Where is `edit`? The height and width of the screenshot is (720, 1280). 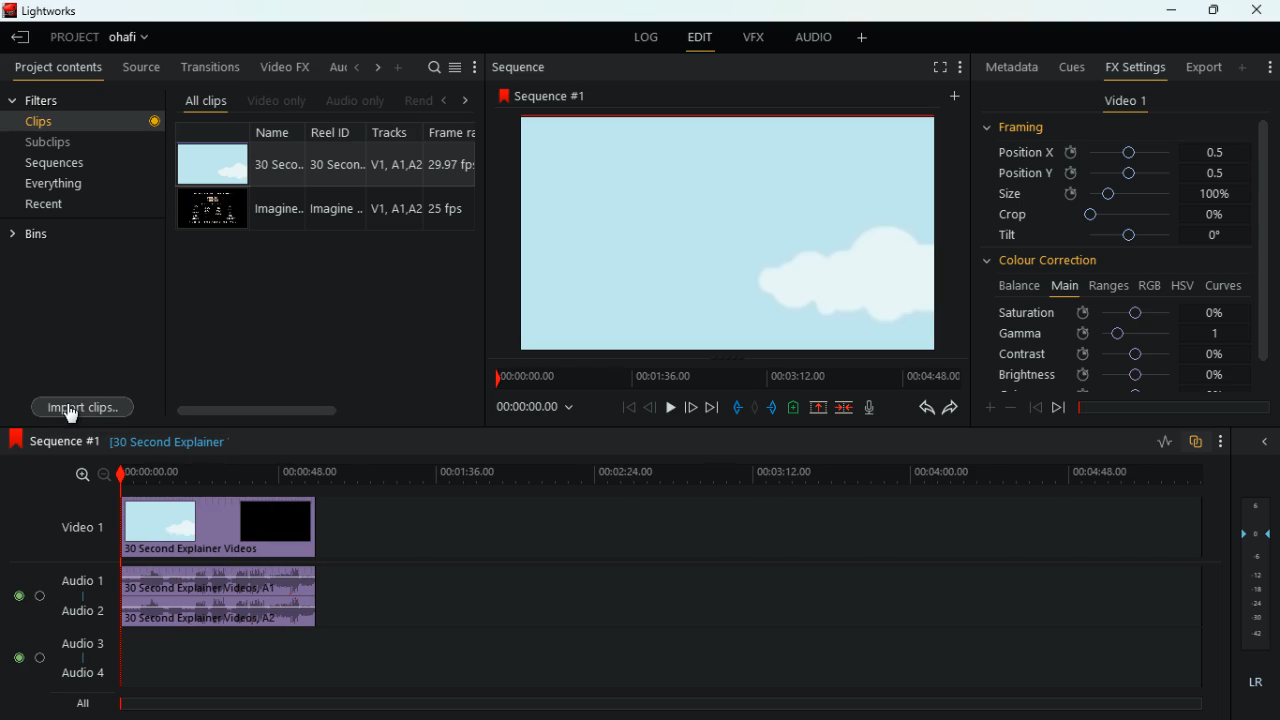 edit is located at coordinates (700, 37).